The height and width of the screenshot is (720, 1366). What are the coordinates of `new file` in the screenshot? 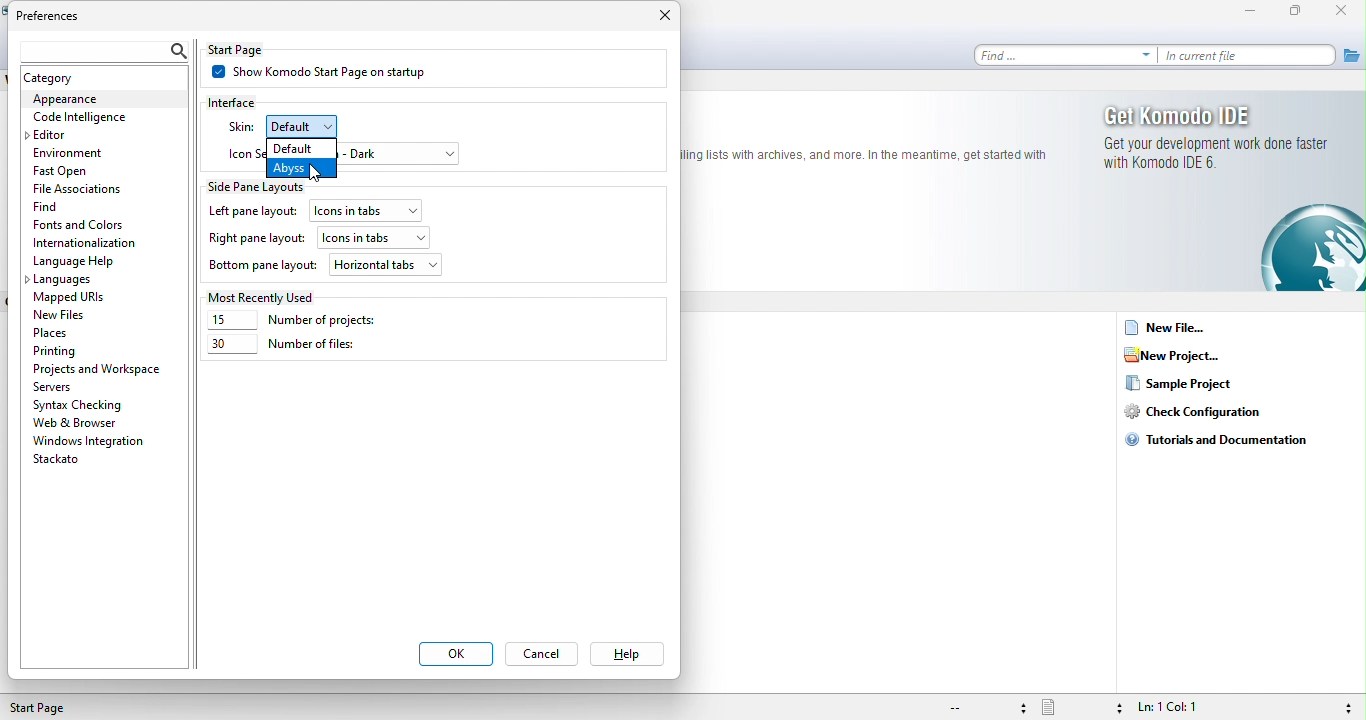 It's located at (1169, 330).